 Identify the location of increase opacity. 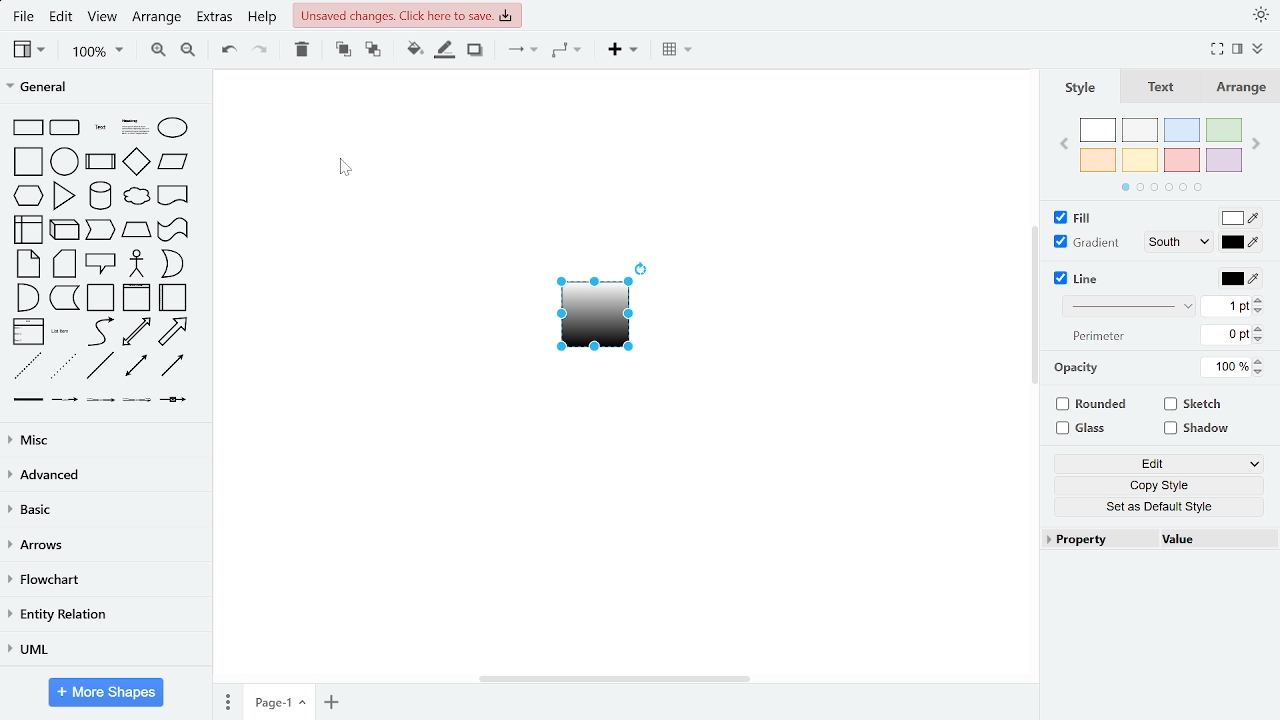
(1258, 362).